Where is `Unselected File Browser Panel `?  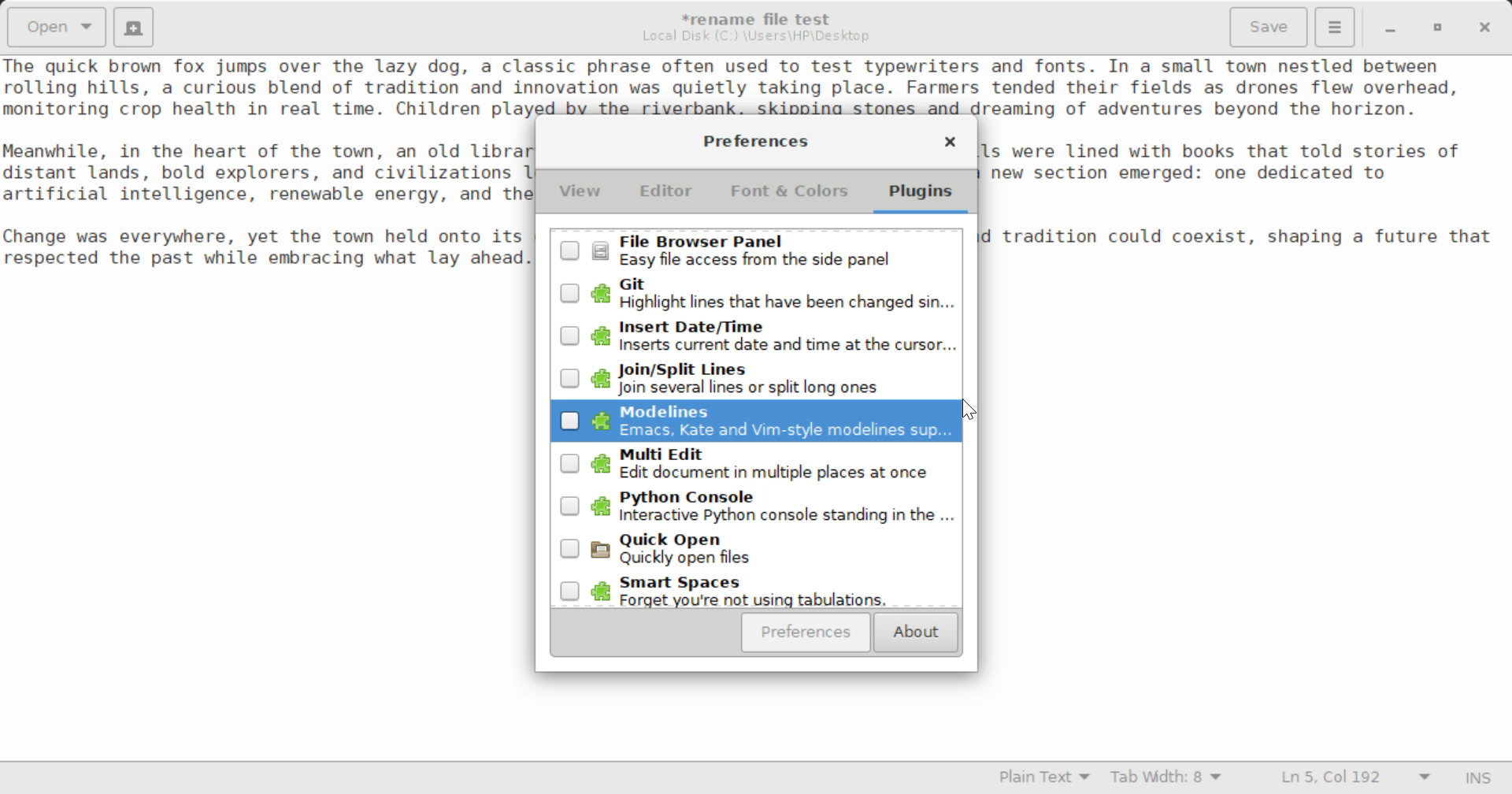
Unselected File Browser Panel  is located at coordinates (758, 250).